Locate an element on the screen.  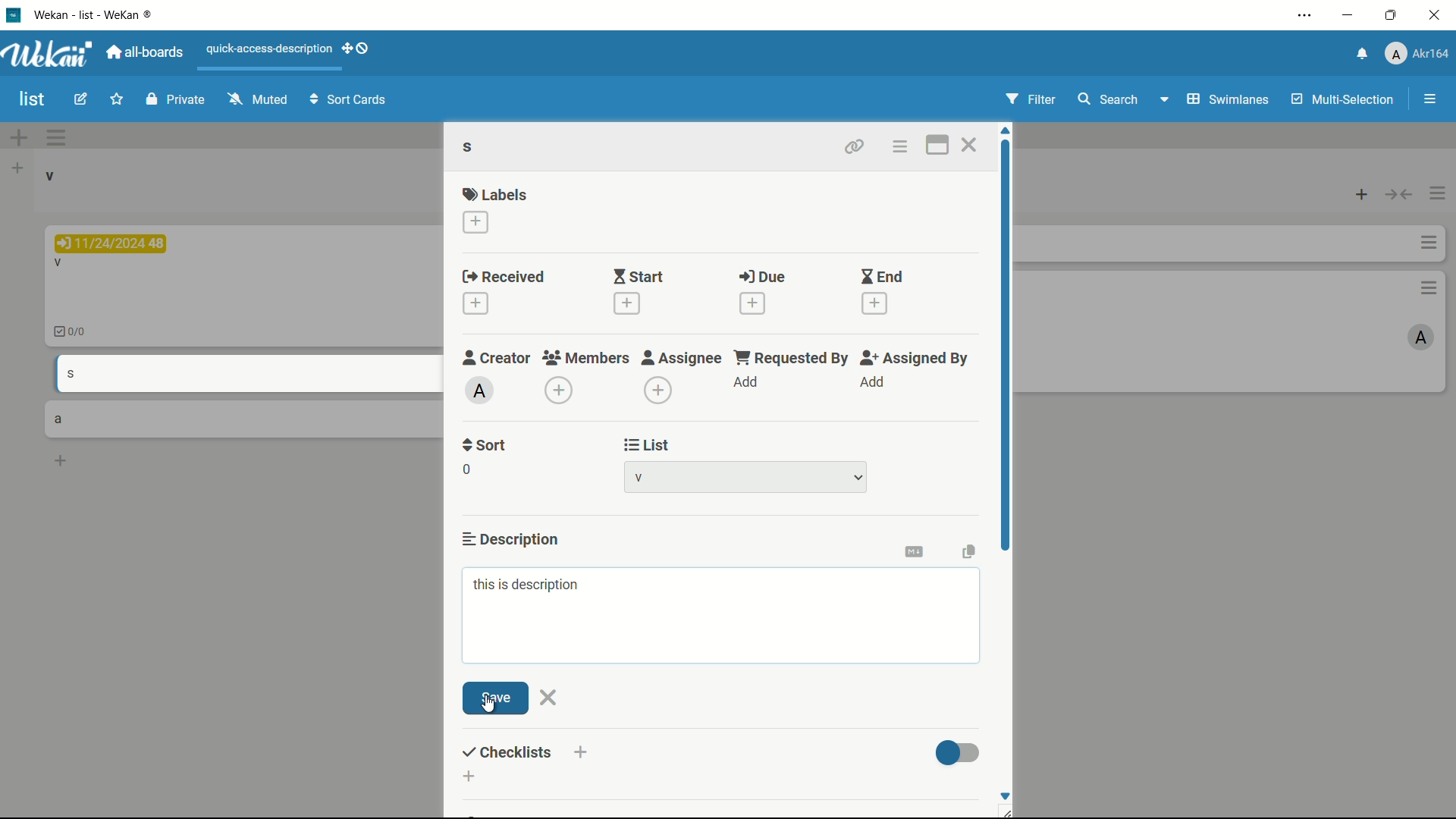
app icon is located at coordinates (15, 15).